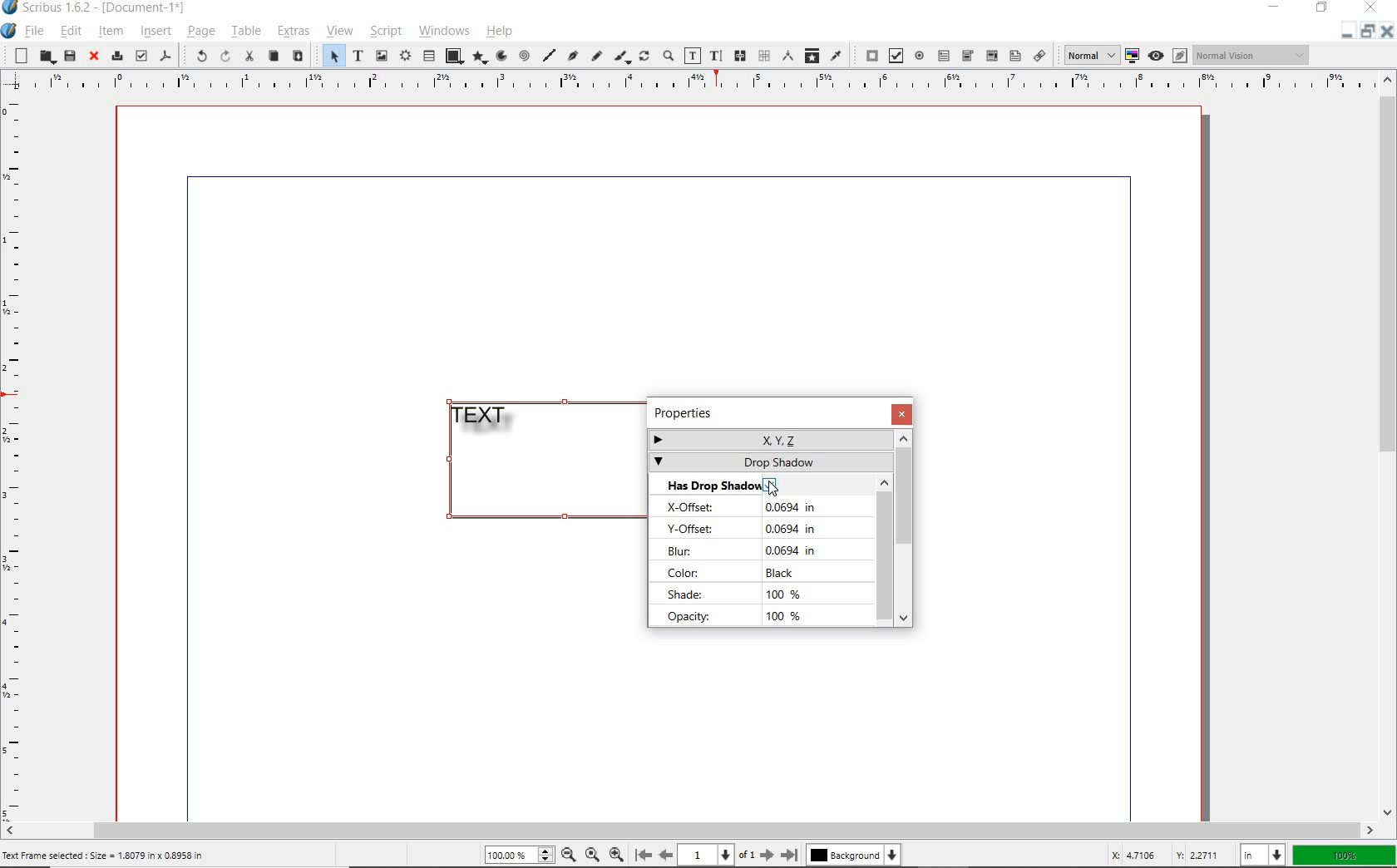 This screenshot has width=1397, height=868. Describe the element at coordinates (894, 55) in the screenshot. I see `pdf check box` at that location.